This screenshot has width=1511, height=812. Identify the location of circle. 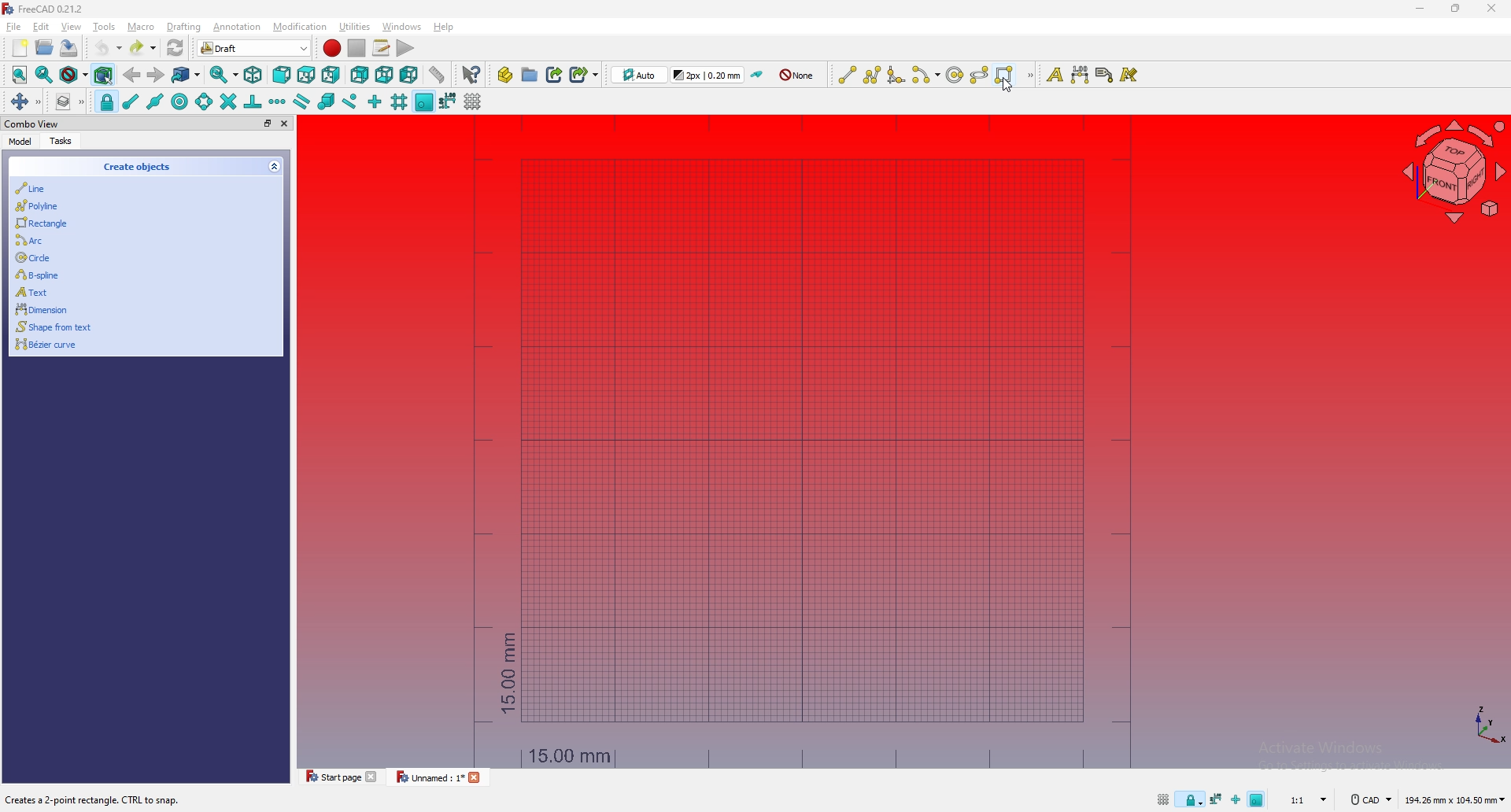
(139, 256).